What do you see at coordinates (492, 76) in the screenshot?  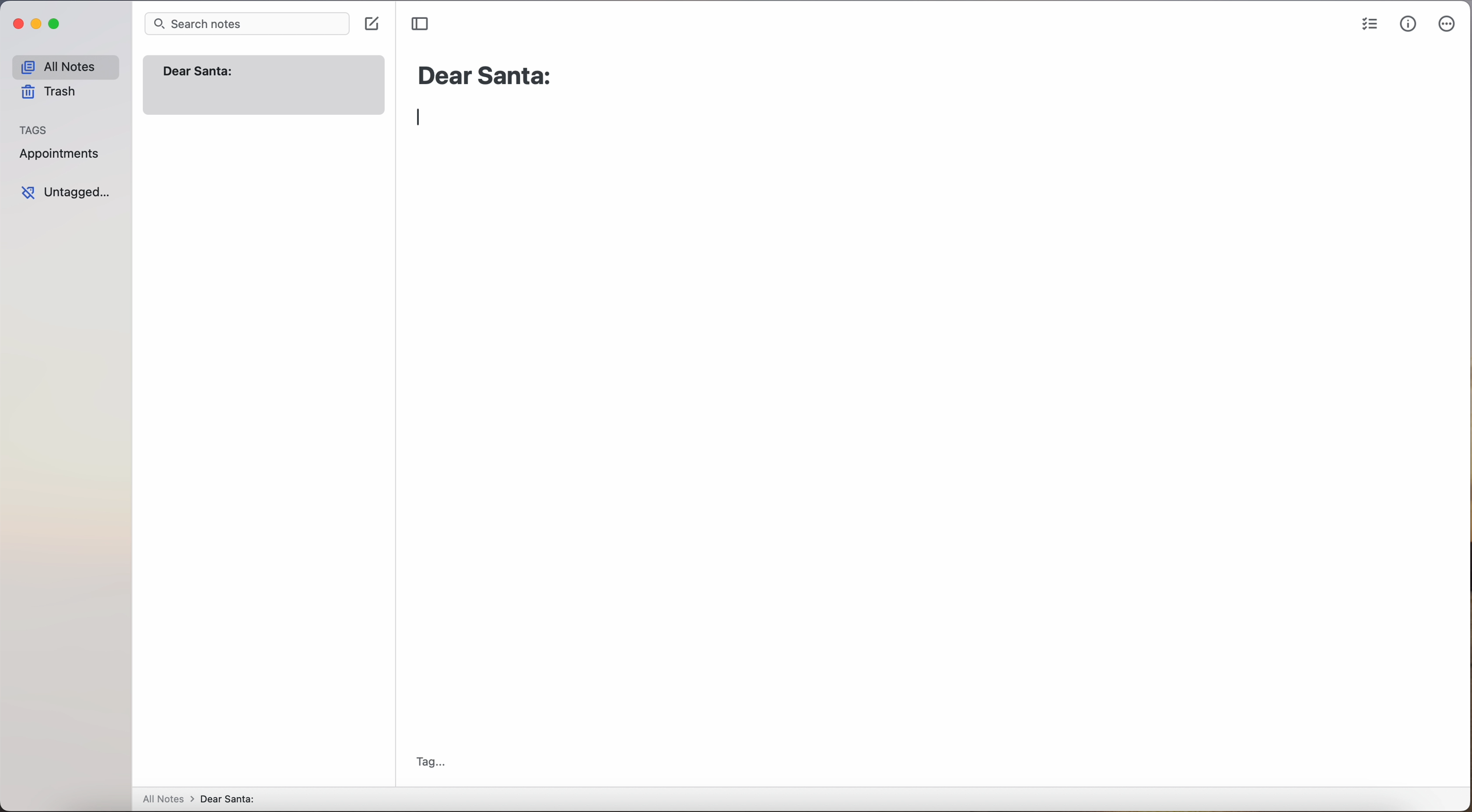 I see `Dear Santa:` at bounding box center [492, 76].